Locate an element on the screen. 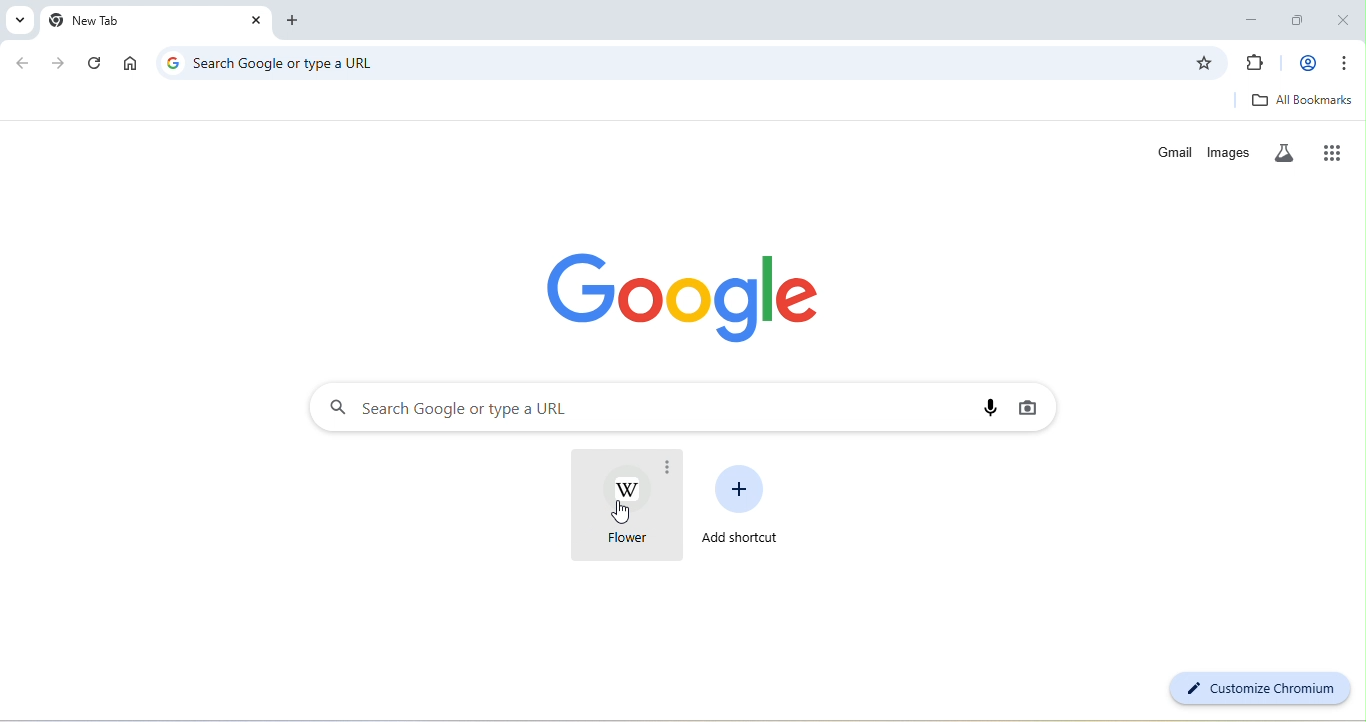 The width and height of the screenshot is (1366, 722). search tab is located at coordinates (17, 19).